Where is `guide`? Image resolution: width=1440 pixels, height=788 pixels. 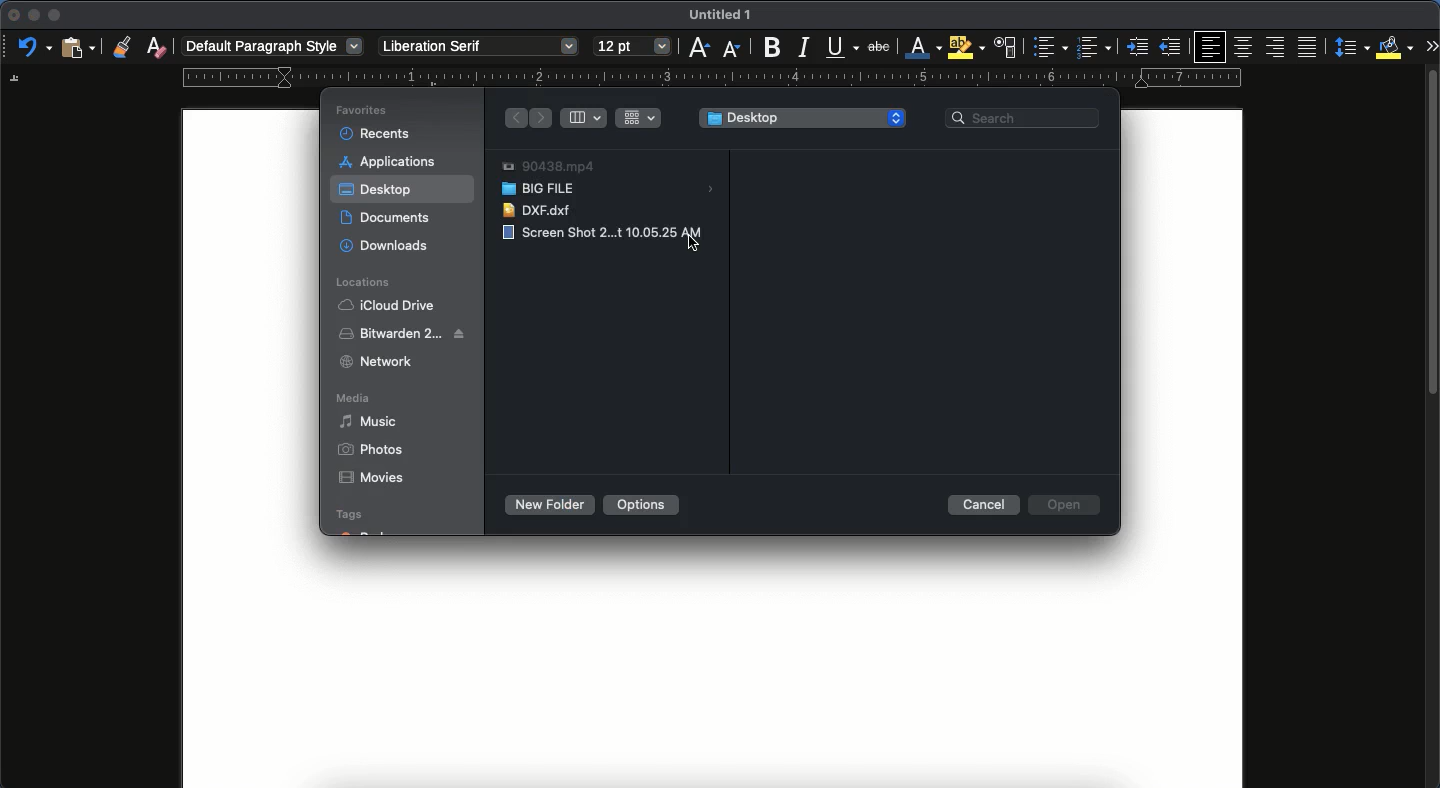 guide is located at coordinates (711, 78).